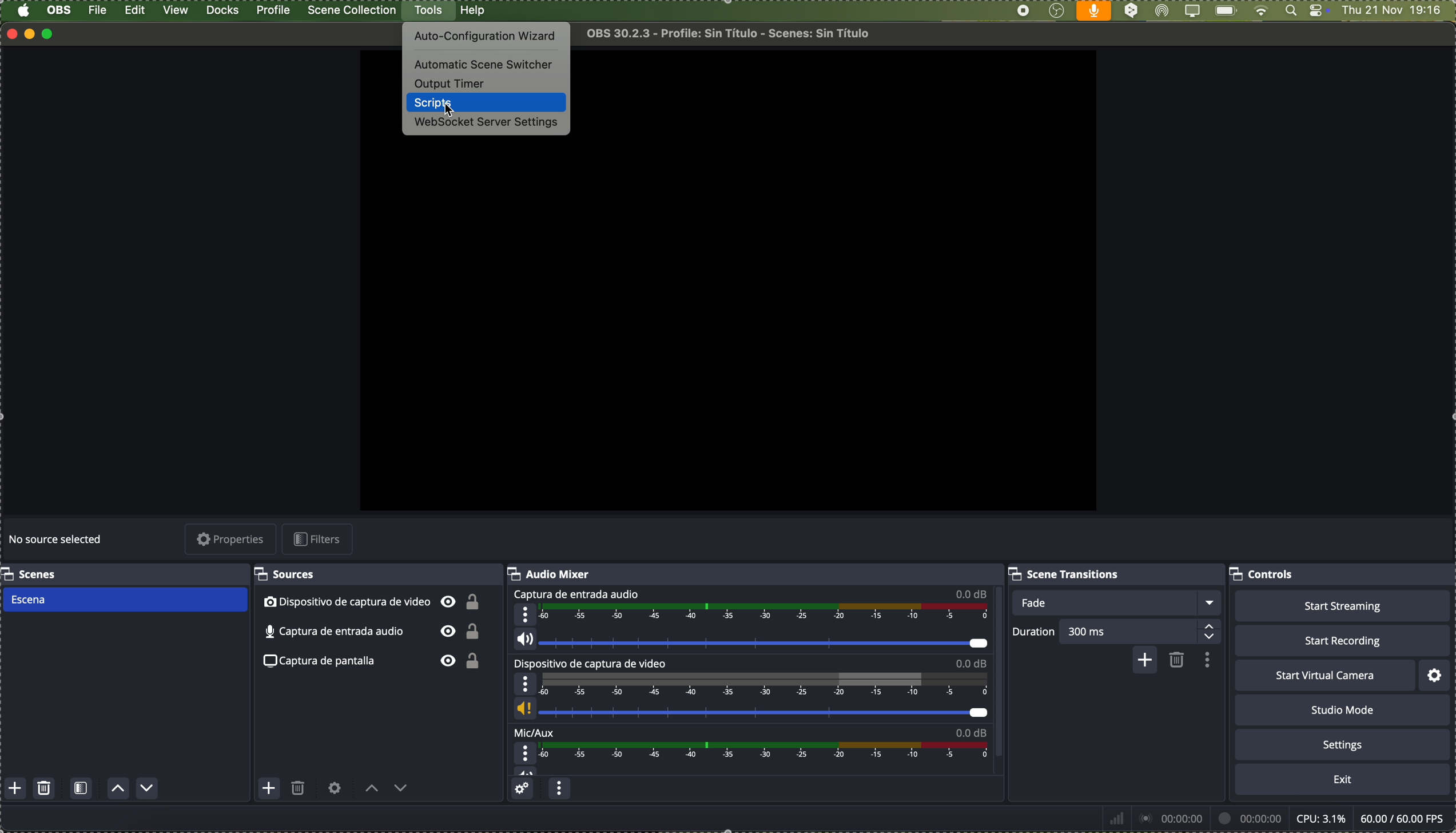 The image size is (1456, 833). What do you see at coordinates (57, 541) in the screenshot?
I see `no source selected` at bounding box center [57, 541].